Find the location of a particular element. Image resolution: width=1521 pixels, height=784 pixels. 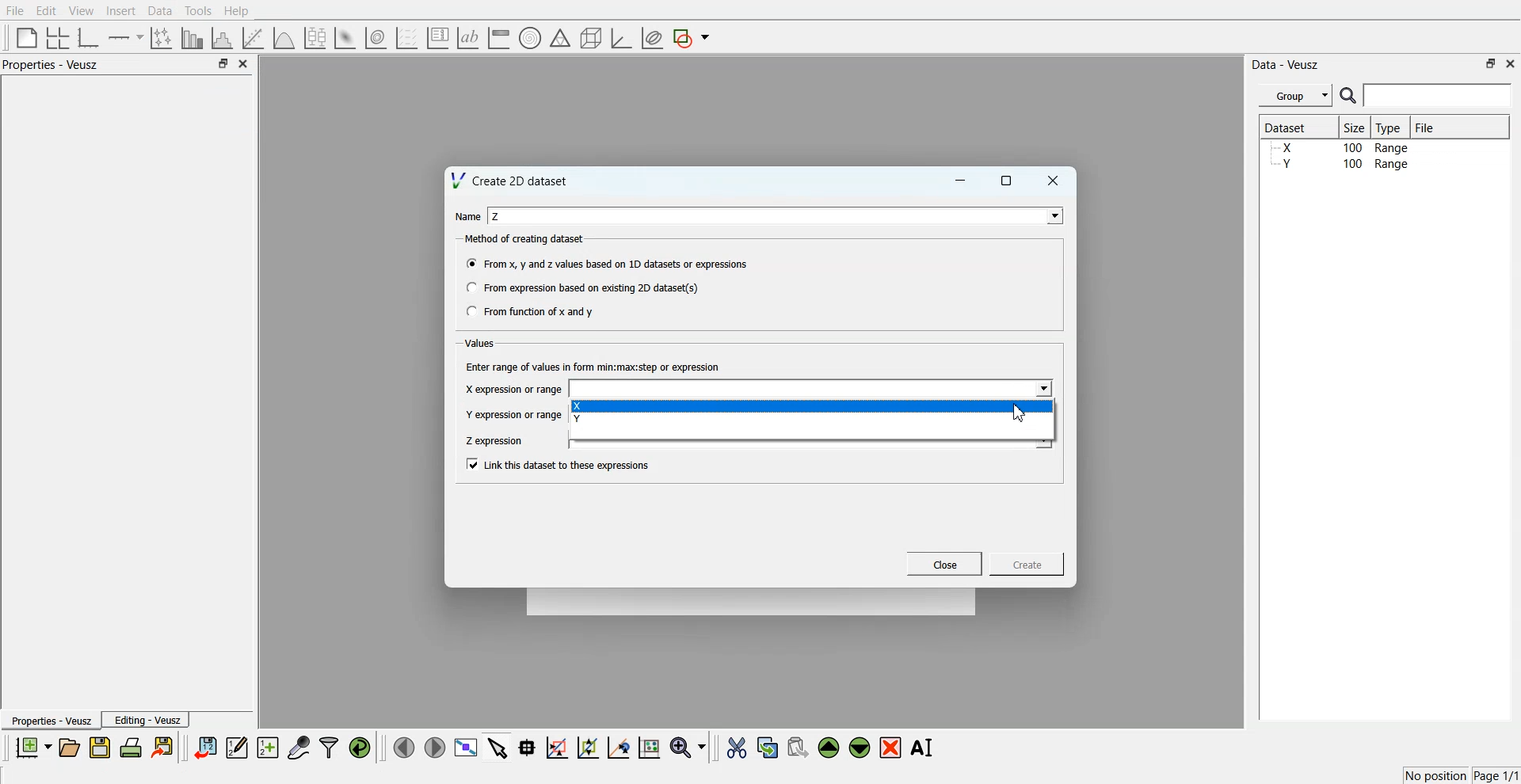

3D Graph is located at coordinates (621, 38).